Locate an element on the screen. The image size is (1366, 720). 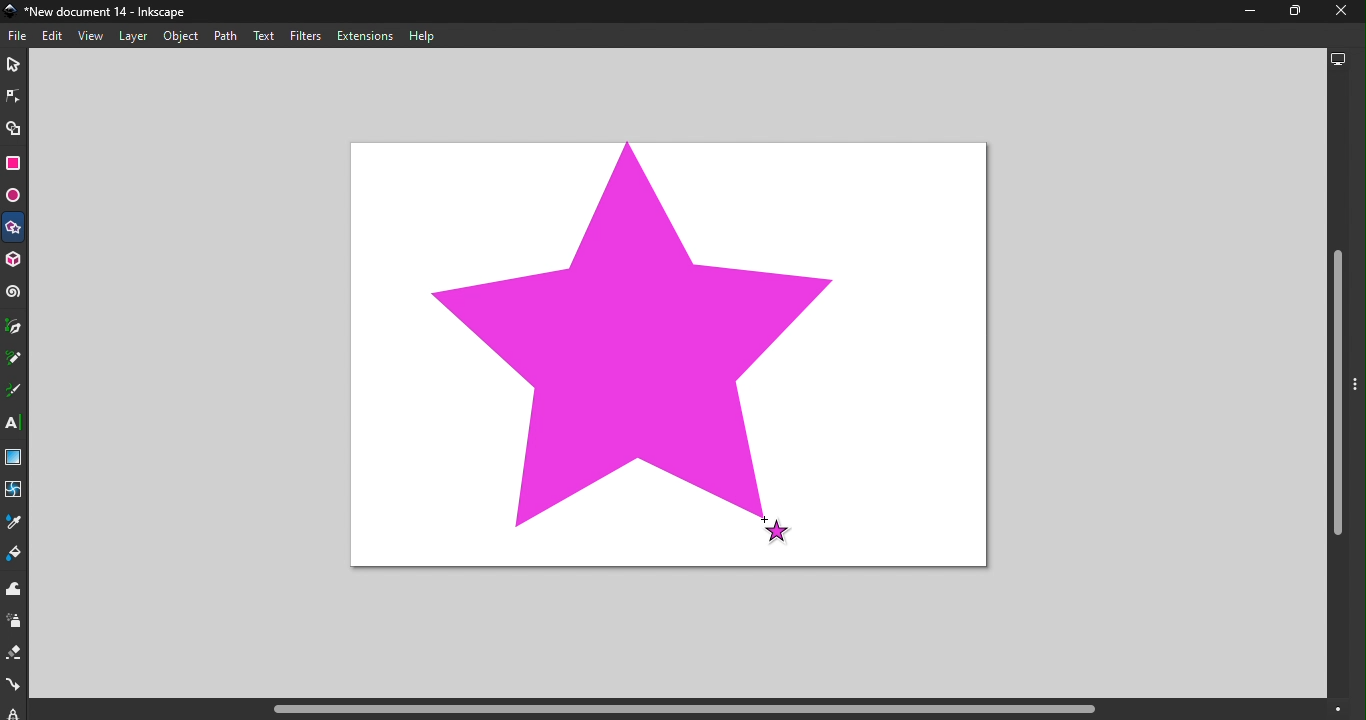
Filters is located at coordinates (305, 37).